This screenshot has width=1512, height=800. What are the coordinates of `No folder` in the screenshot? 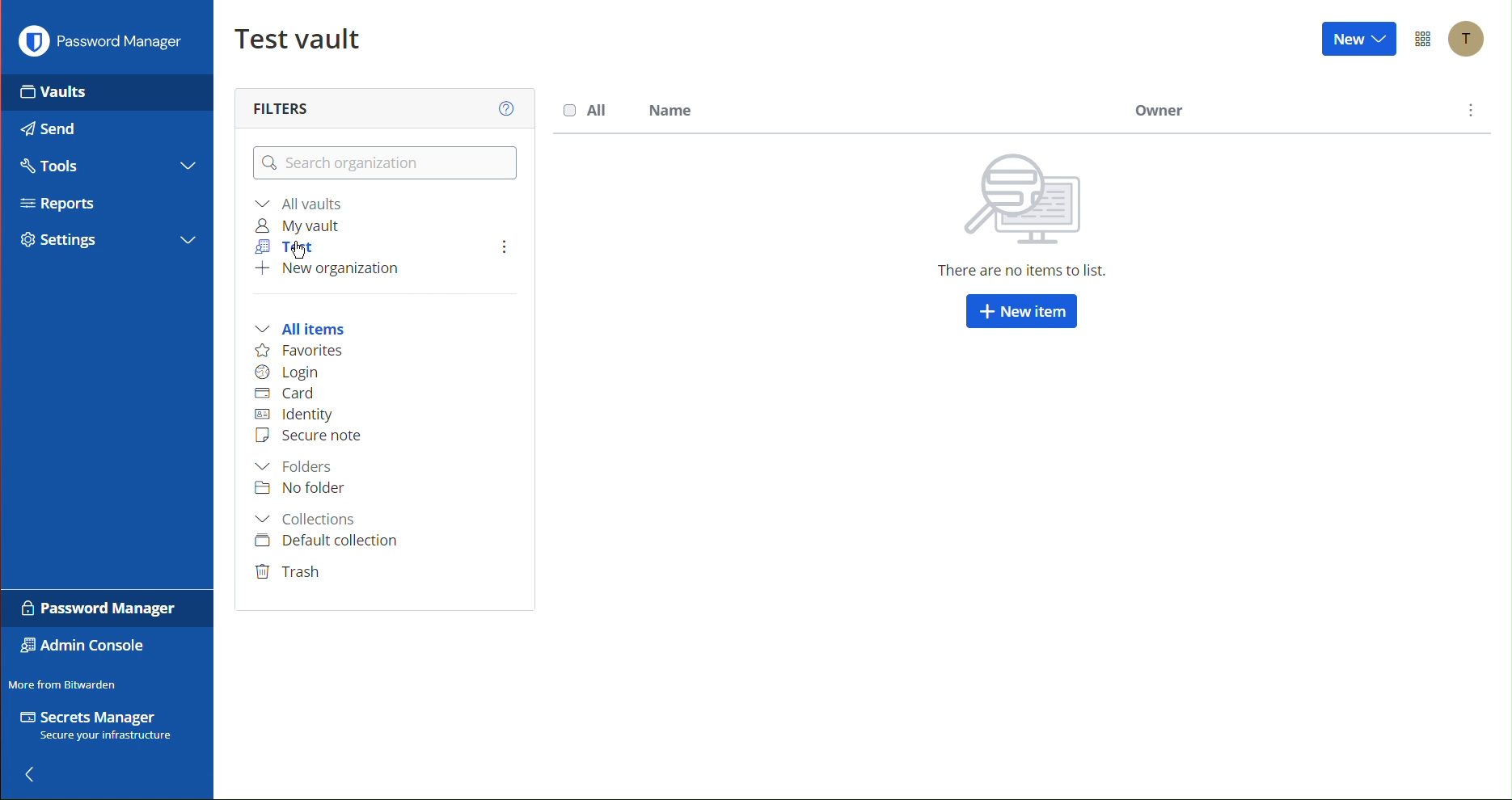 It's located at (300, 491).